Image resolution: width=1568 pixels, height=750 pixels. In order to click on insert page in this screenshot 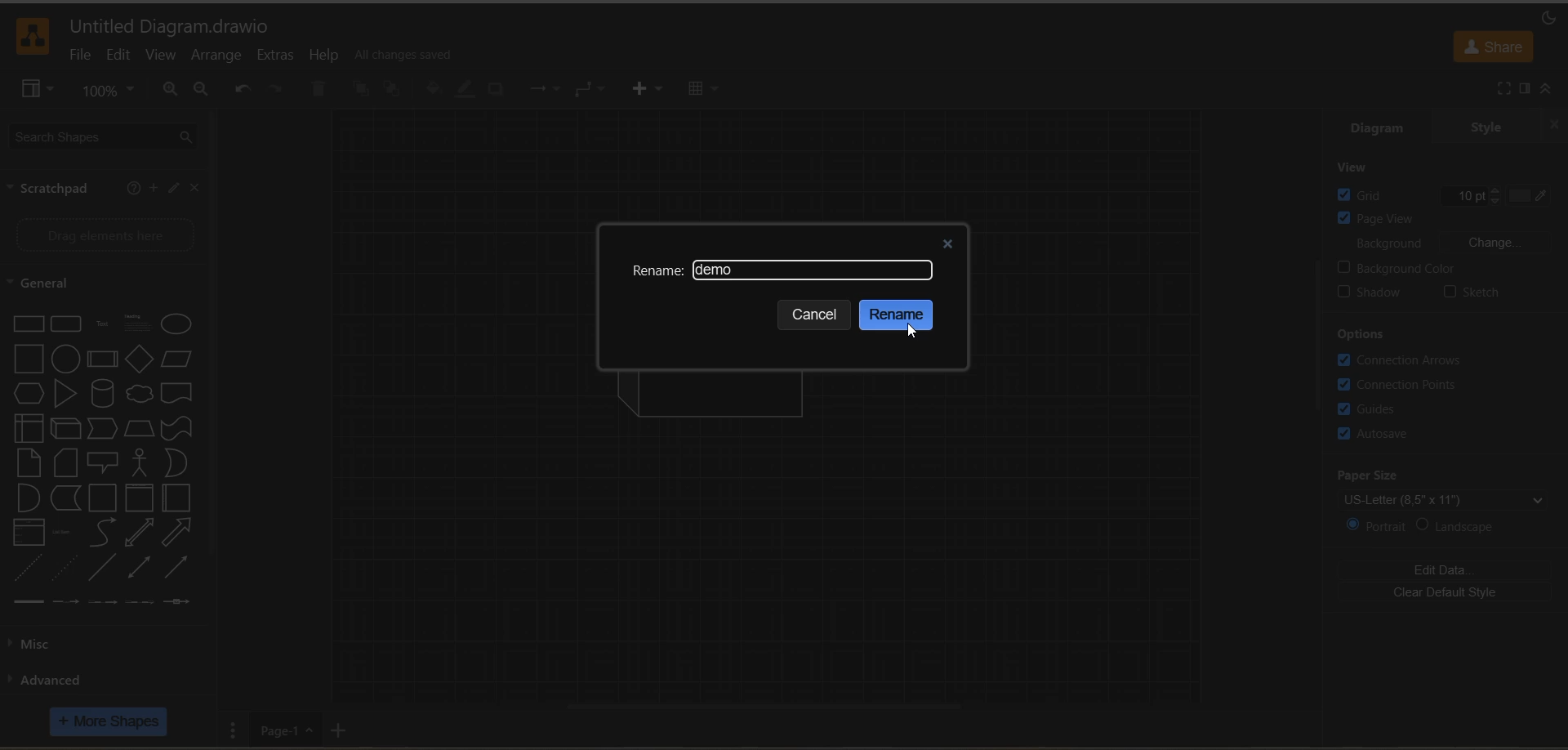, I will do `click(343, 728)`.